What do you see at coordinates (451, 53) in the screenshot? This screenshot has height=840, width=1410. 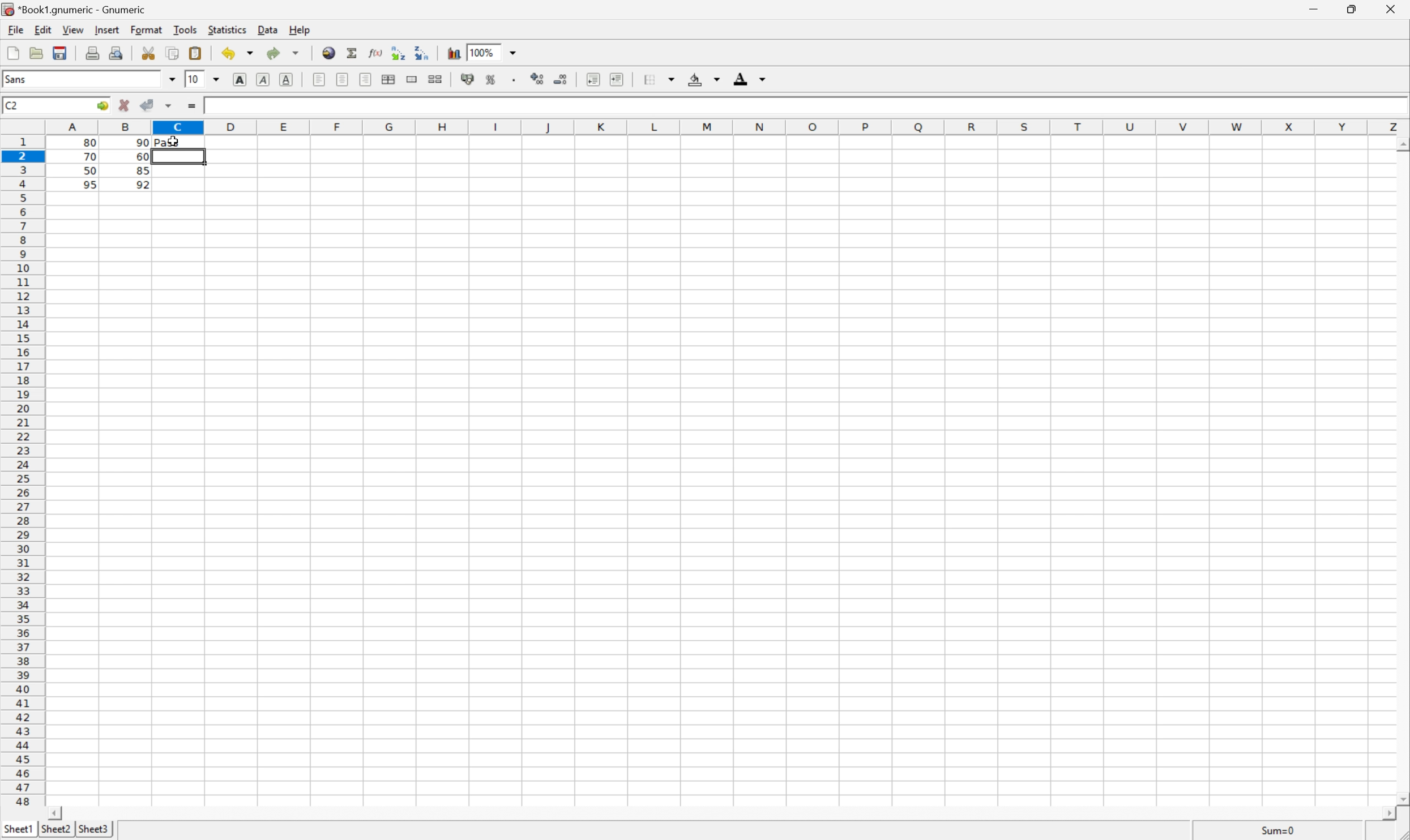 I see `Chart` at bounding box center [451, 53].